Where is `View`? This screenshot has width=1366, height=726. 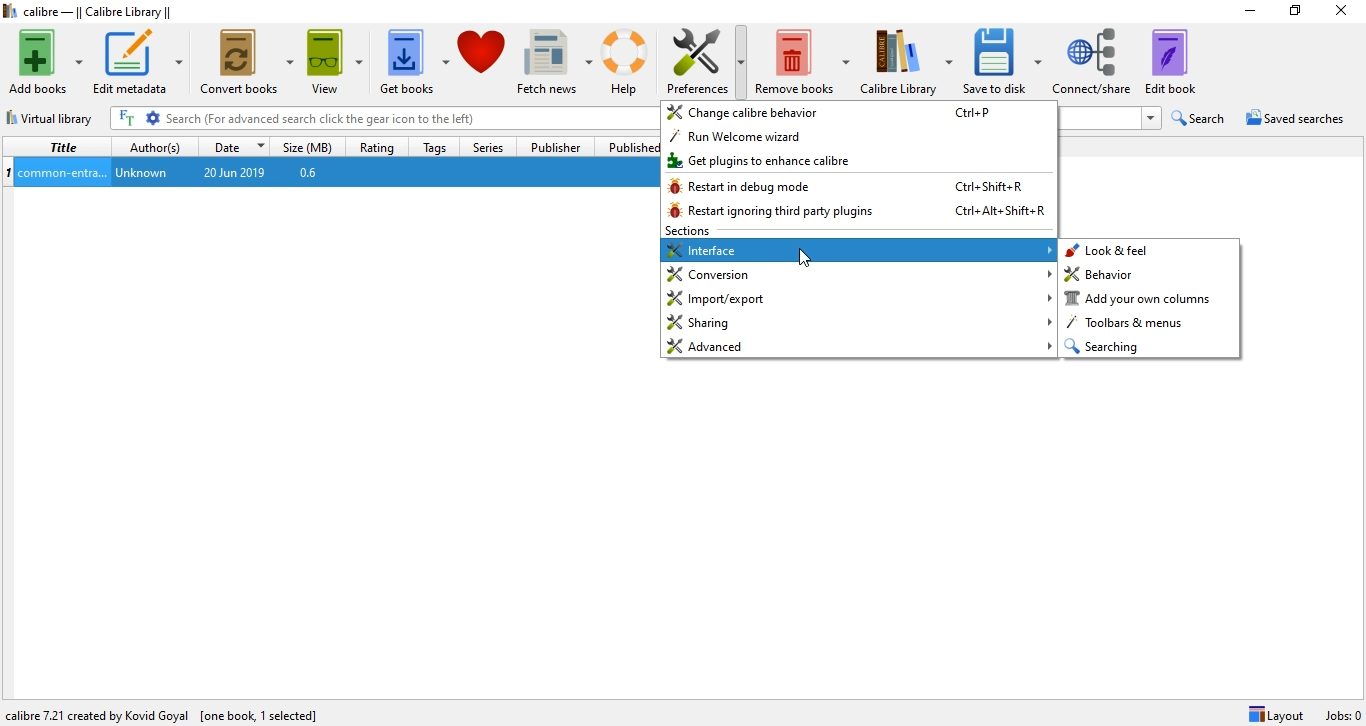 View is located at coordinates (332, 57).